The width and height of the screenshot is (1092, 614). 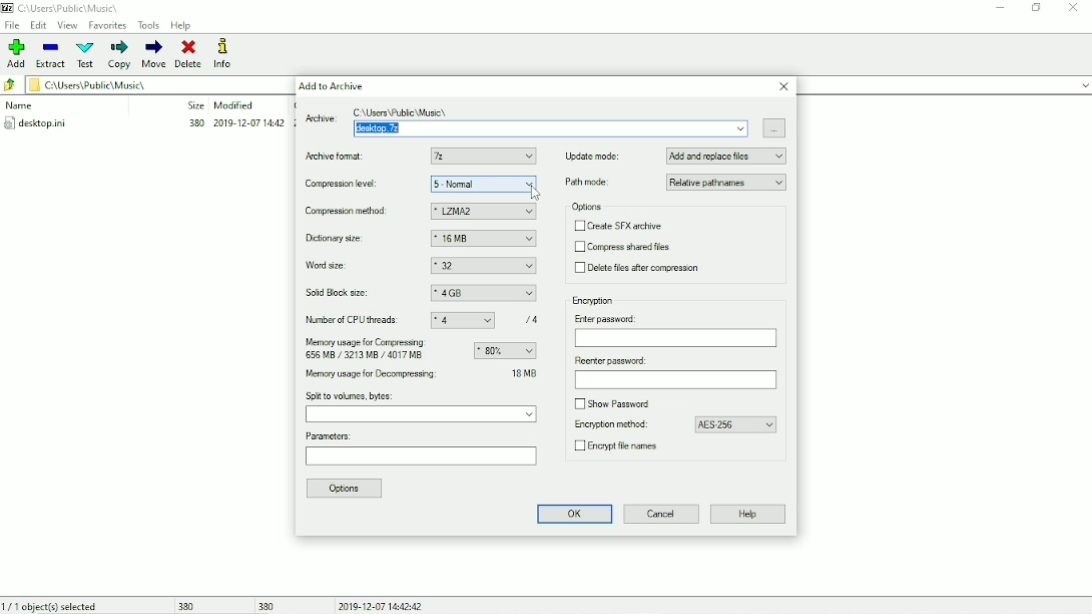 I want to click on Word size, so click(x=343, y=266).